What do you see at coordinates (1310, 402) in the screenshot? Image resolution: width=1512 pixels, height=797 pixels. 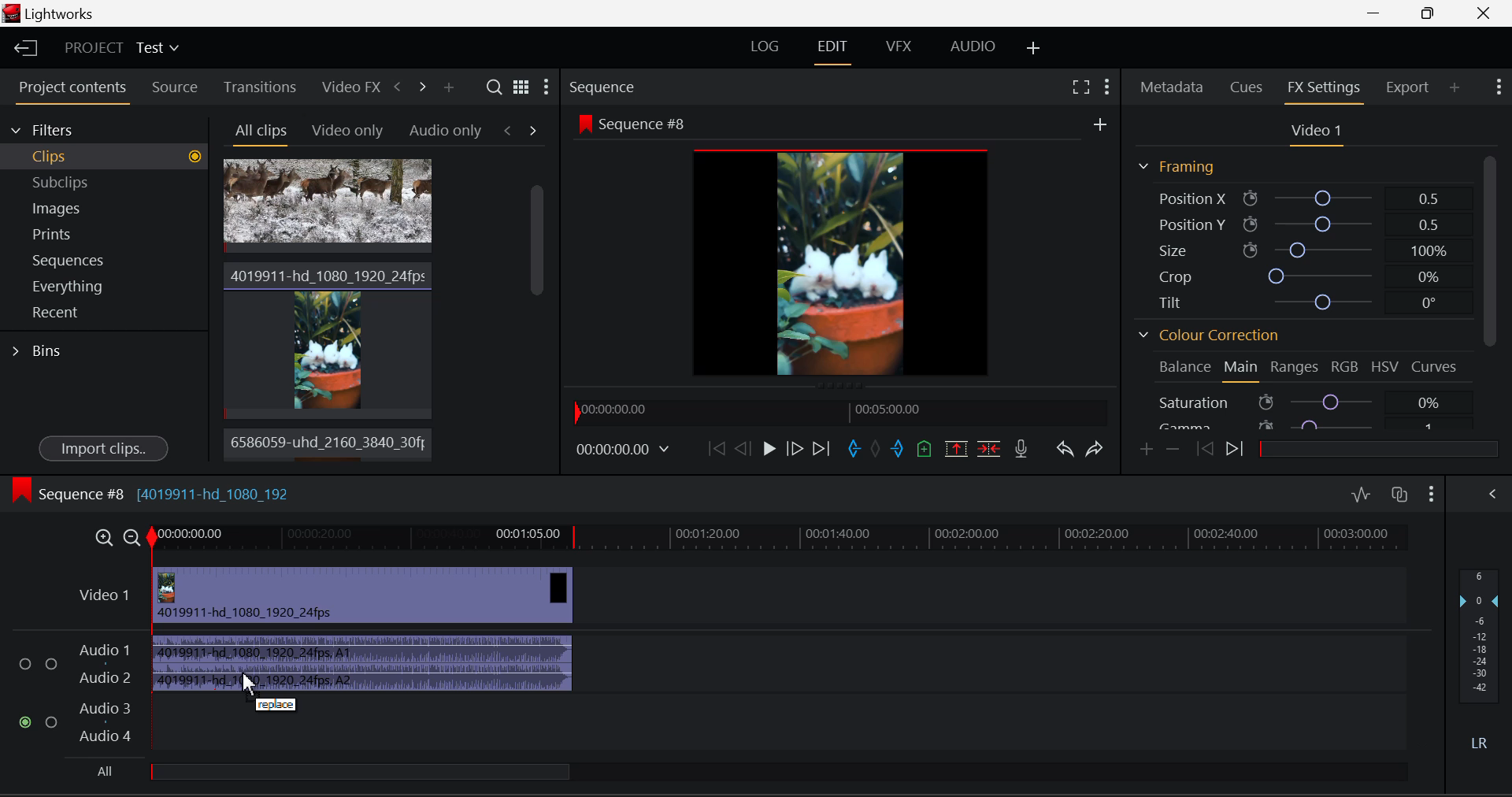 I see `Saturation` at bounding box center [1310, 402].